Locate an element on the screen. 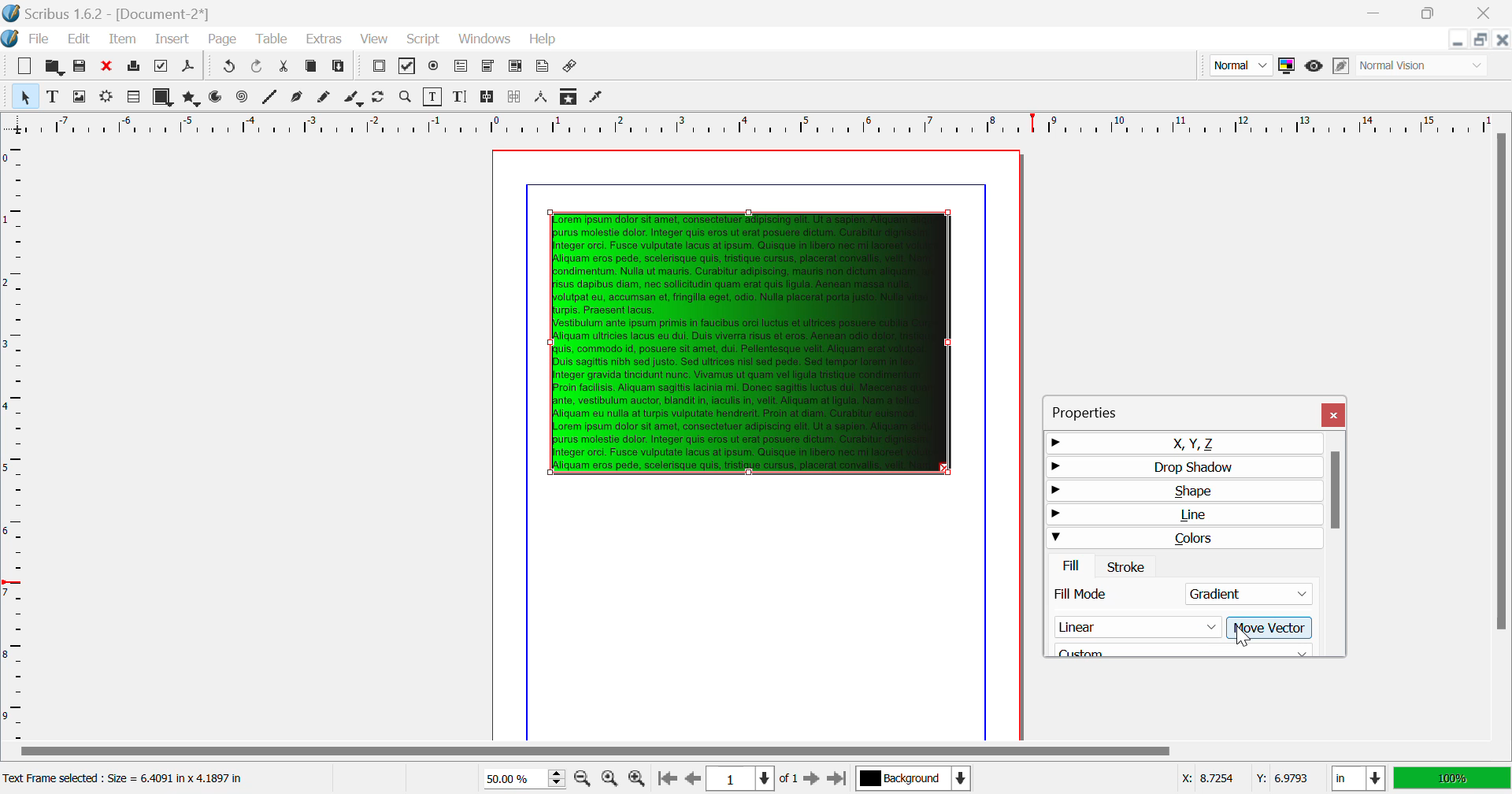 The width and height of the screenshot is (1512, 794). Colors Tab Open is located at coordinates (1186, 553).